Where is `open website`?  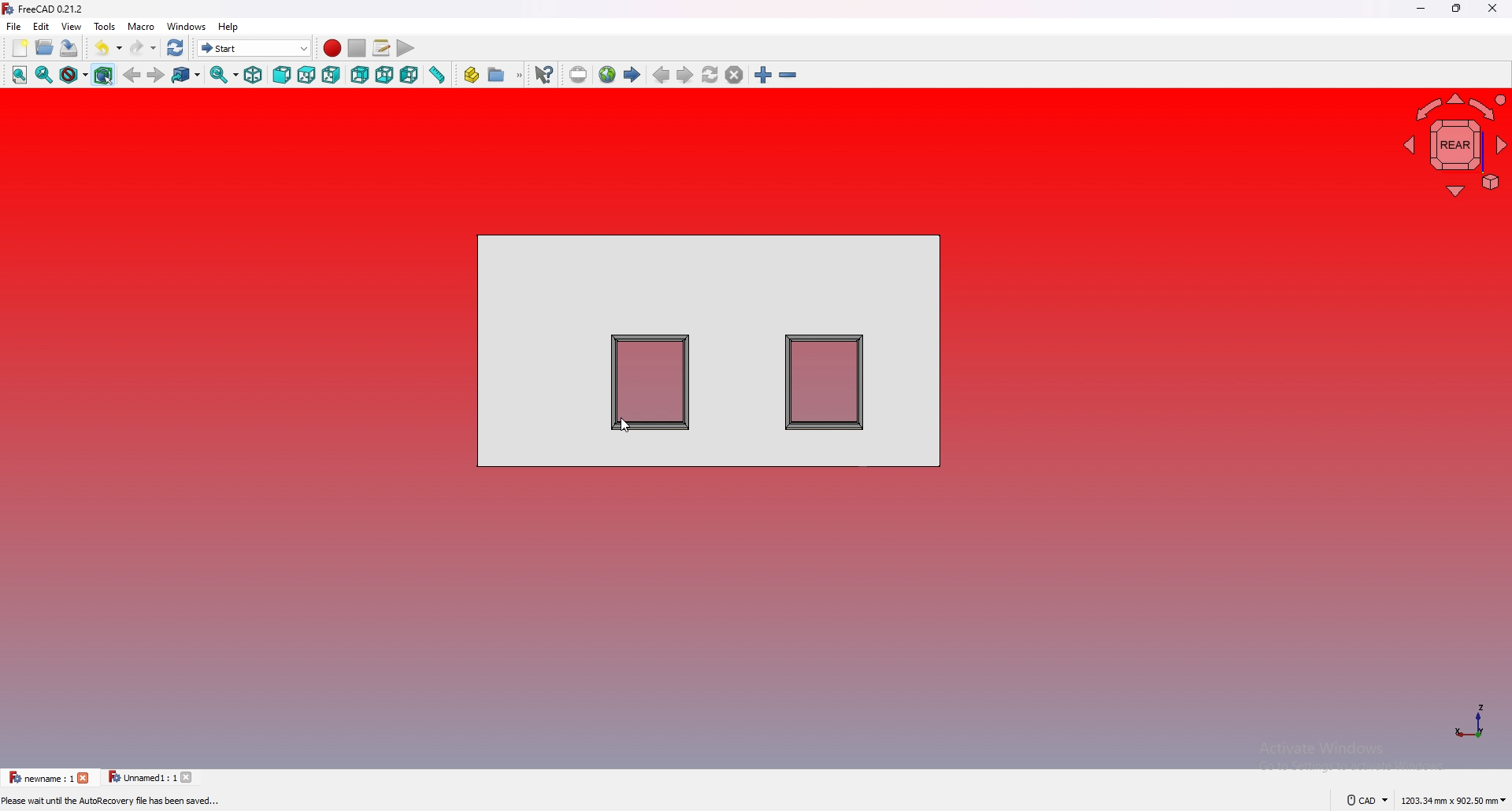 open website is located at coordinates (606, 75).